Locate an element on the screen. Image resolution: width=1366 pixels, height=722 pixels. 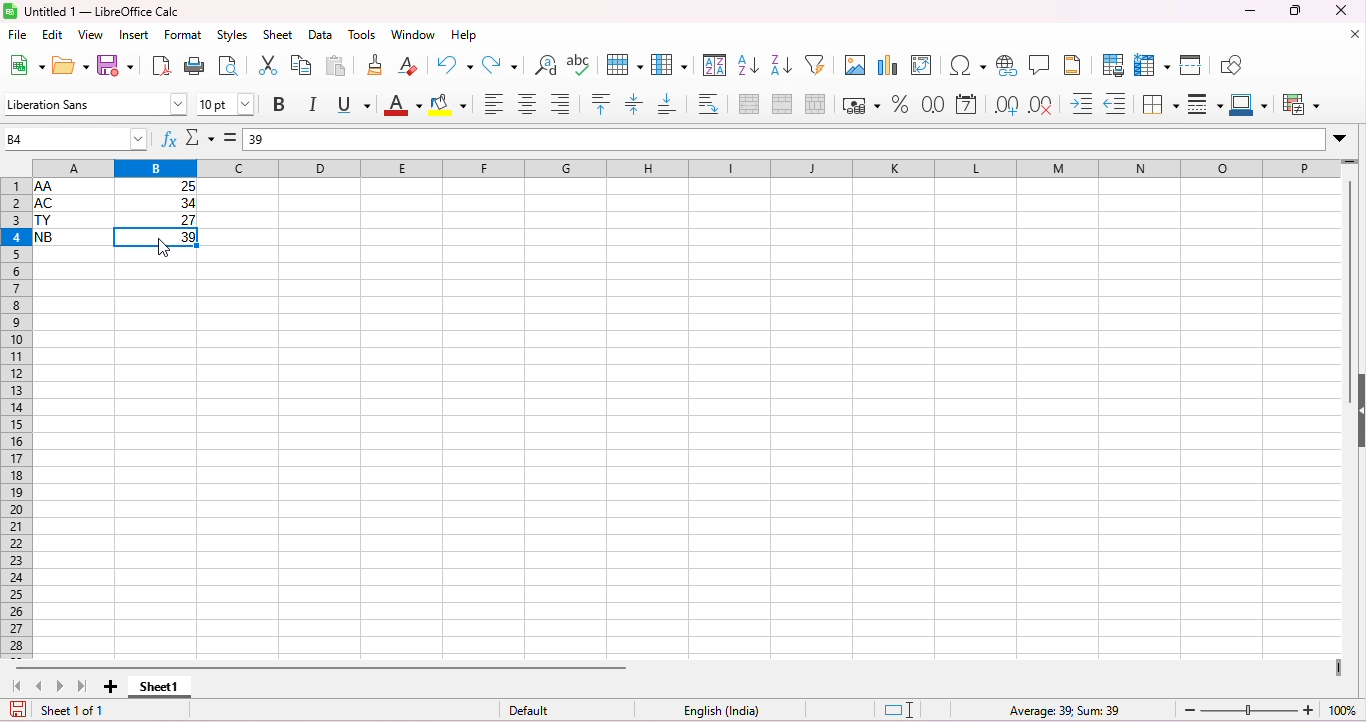
zoom is located at coordinates (1272, 709).